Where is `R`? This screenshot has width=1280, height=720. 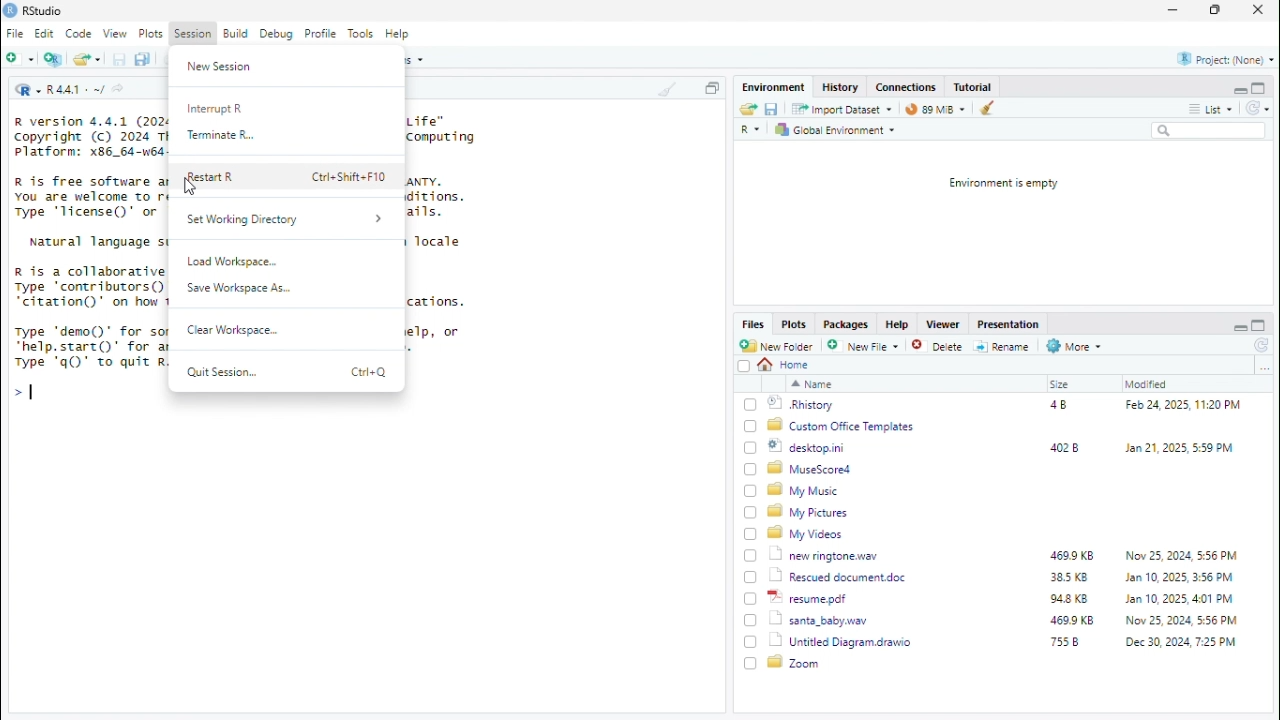 R is located at coordinates (752, 130).